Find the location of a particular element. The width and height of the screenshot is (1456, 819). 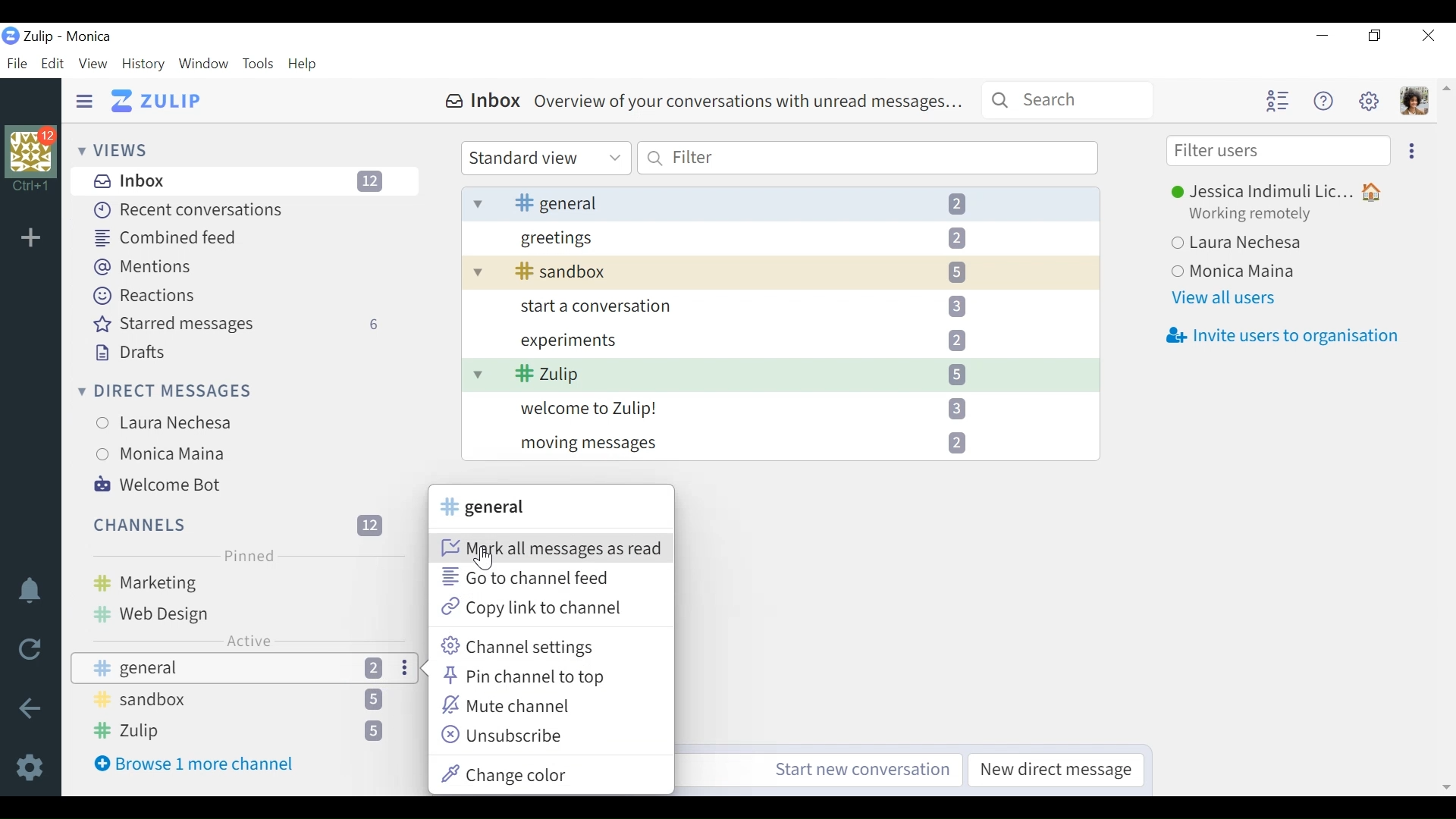

start a conversation 3 is located at coordinates (780, 306).